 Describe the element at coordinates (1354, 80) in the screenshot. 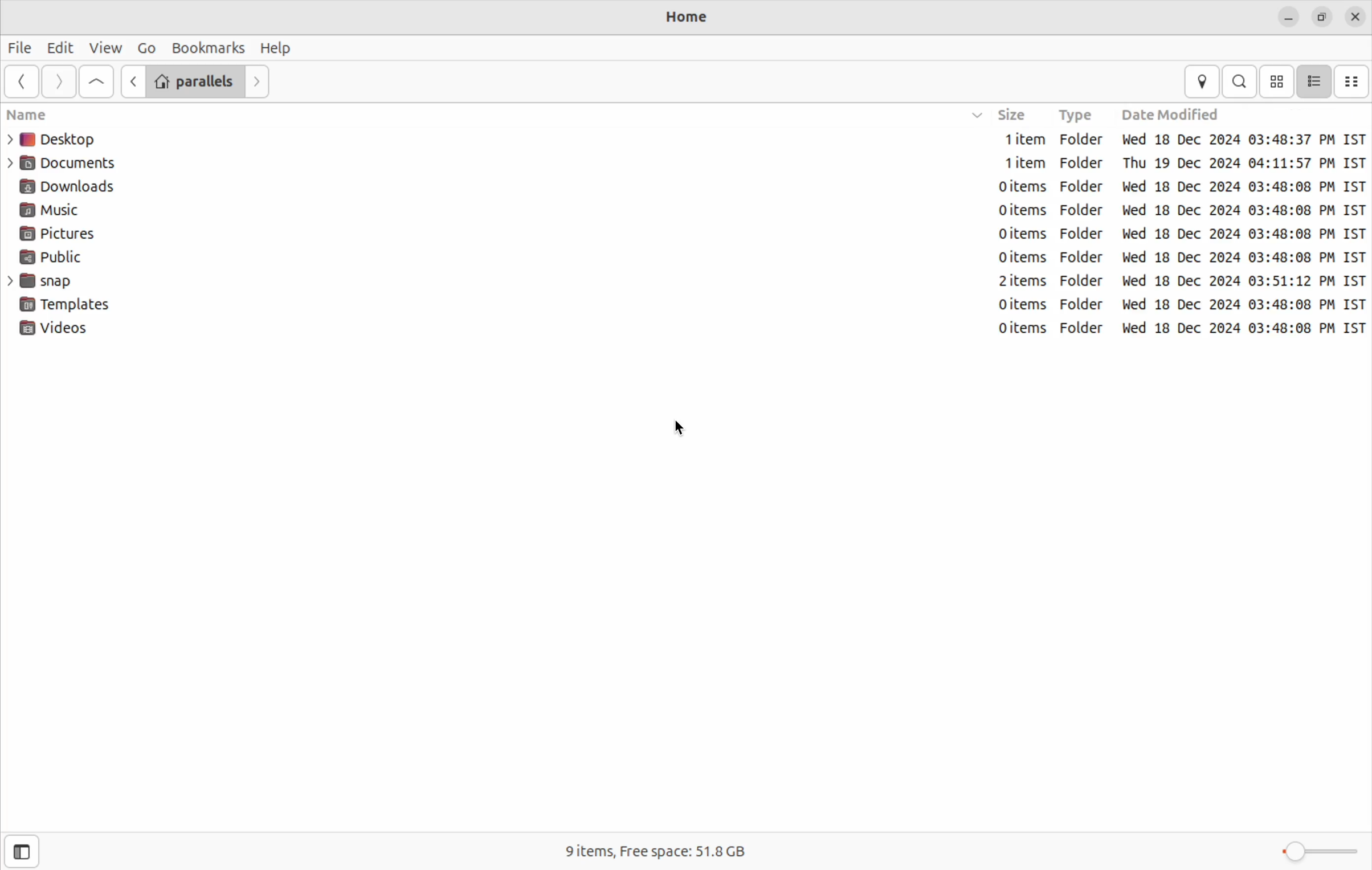

I see `compact view` at that location.